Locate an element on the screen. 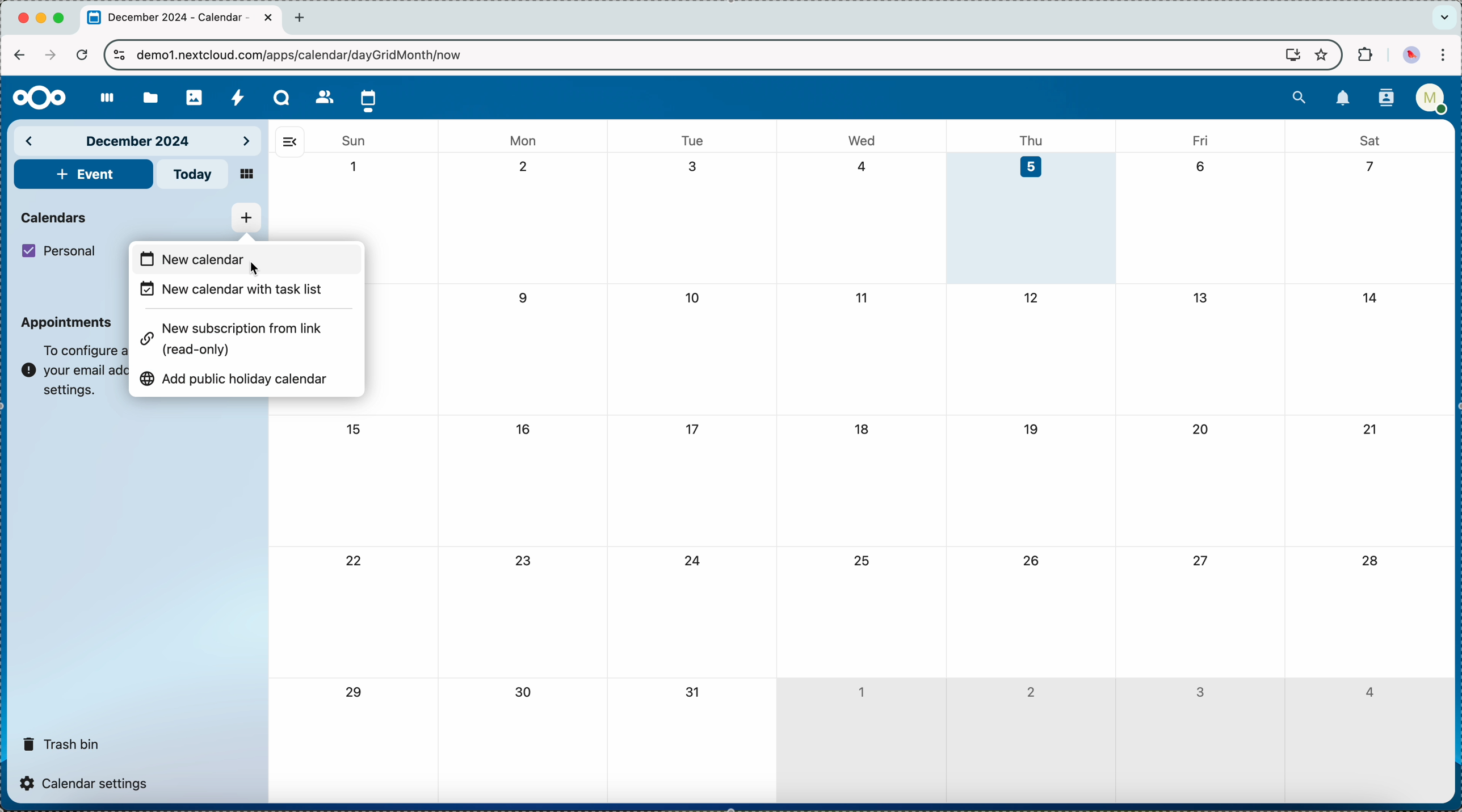 The height and width of the screenshot is (812, 1462). notifications is located at coordinates (1343, 99).